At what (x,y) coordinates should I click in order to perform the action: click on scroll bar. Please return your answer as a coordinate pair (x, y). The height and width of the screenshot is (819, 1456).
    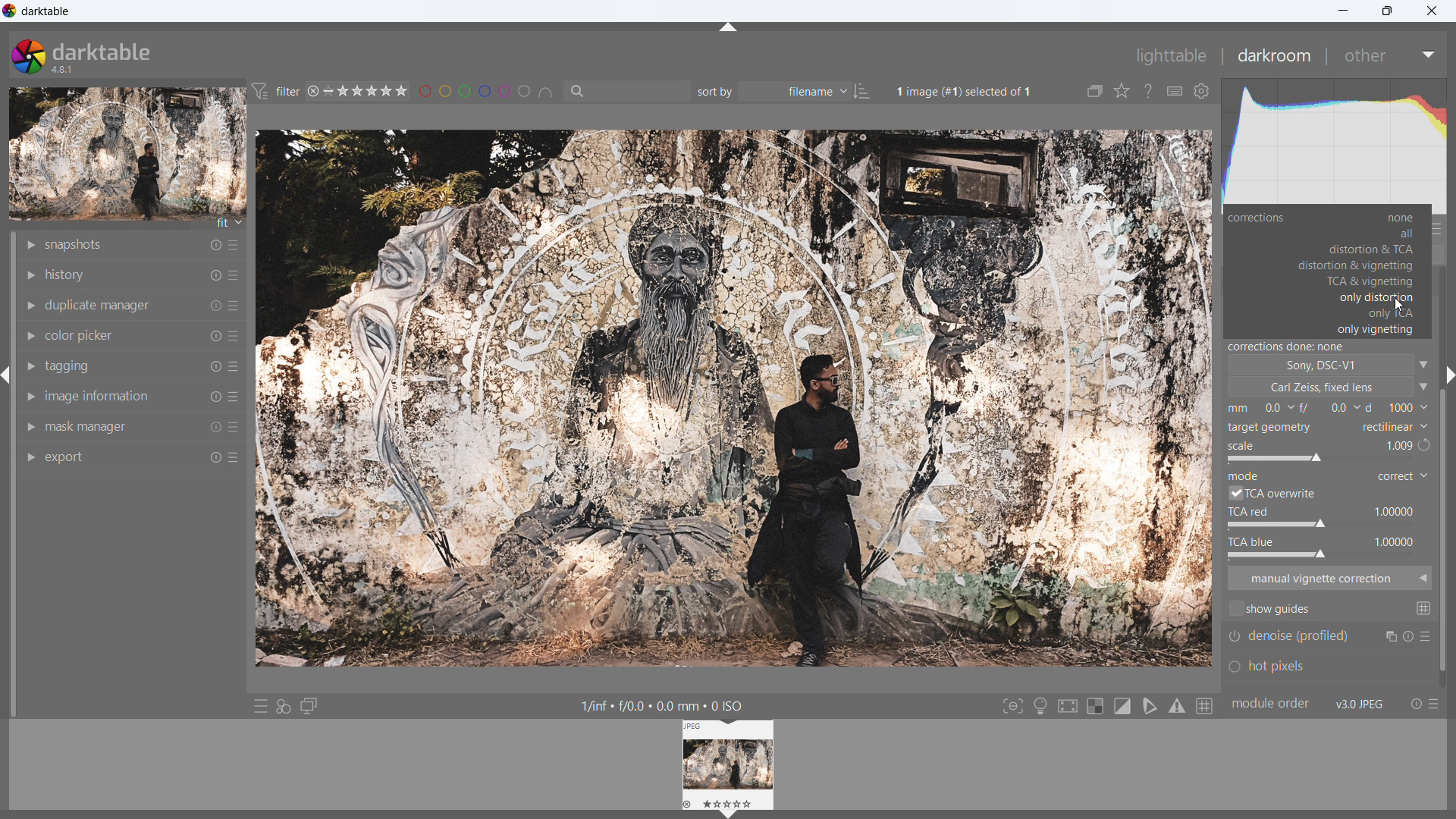
    Looking at the image, I should click on (1447, 476).